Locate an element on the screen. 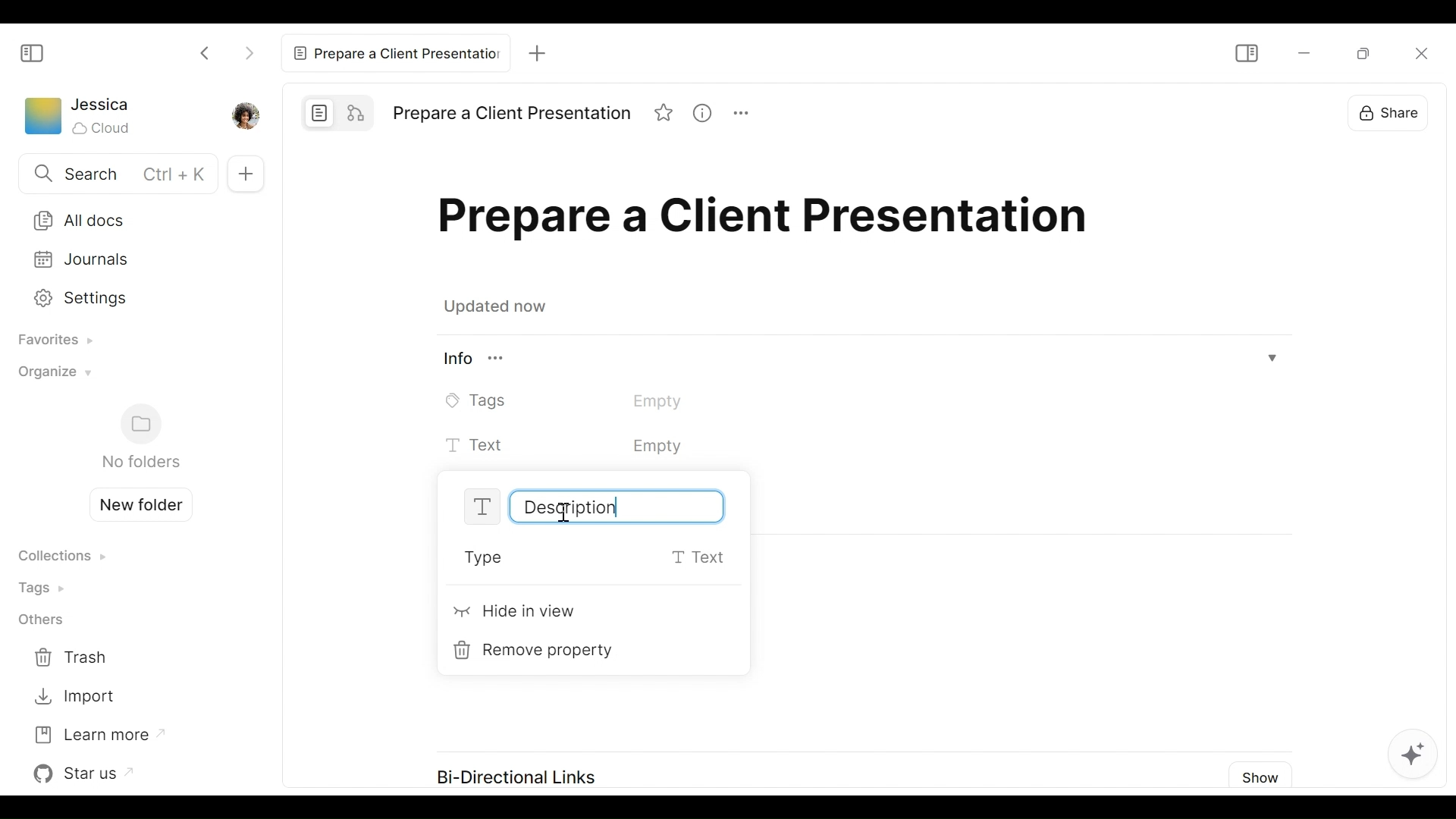 The image size is (1456, 819). Trash is located at coordinates (74, 658).